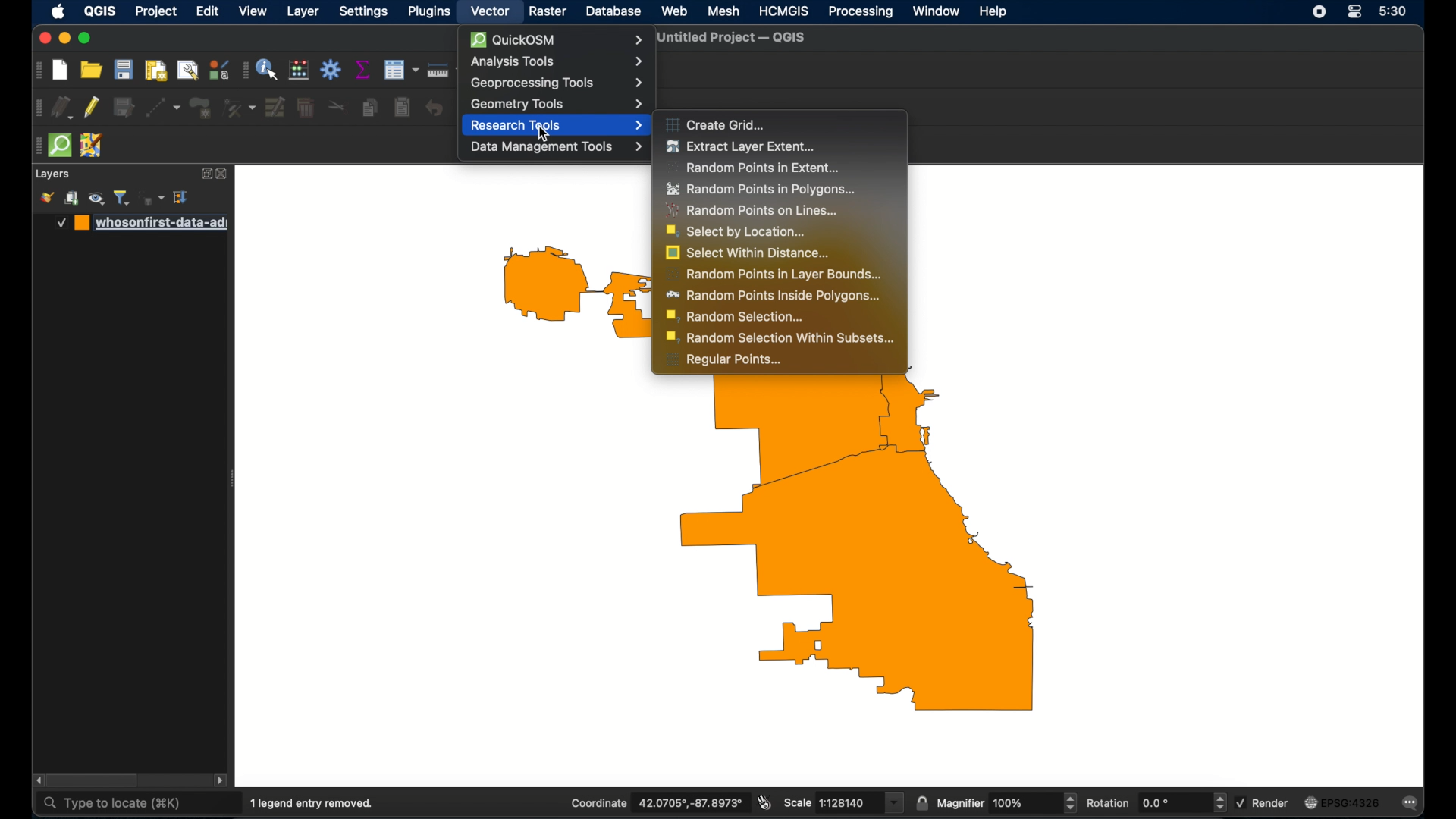 This screenshot has width=1456, height=819. What do you see at coordinates (937, 12) in the screenshot?
I see `window` at bounding box center [937, 12].